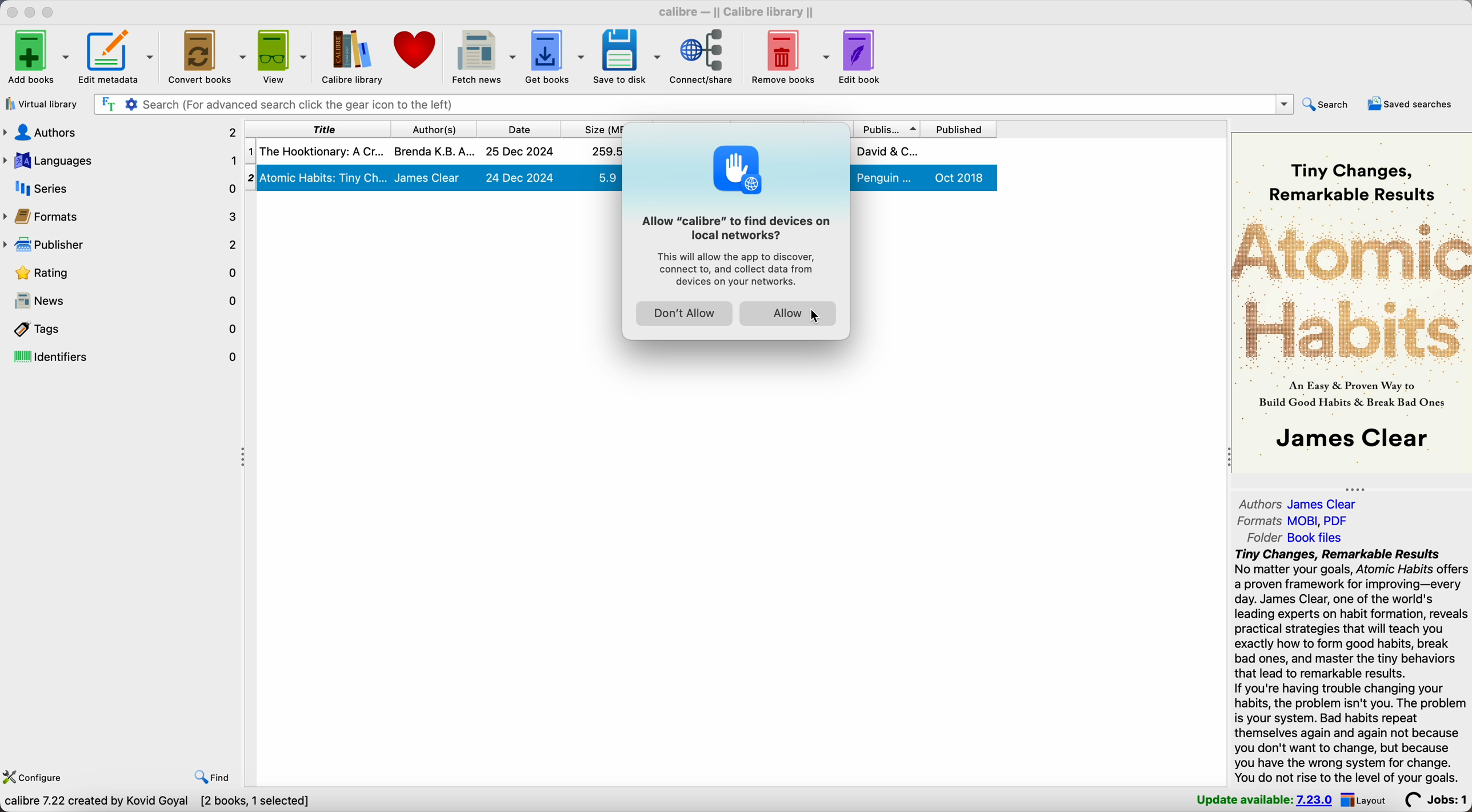 The width and height of the screenshot is (1472, 812). Describe the element at coordinates (791, 313) in the screenshot. I see `Allow` at that location.